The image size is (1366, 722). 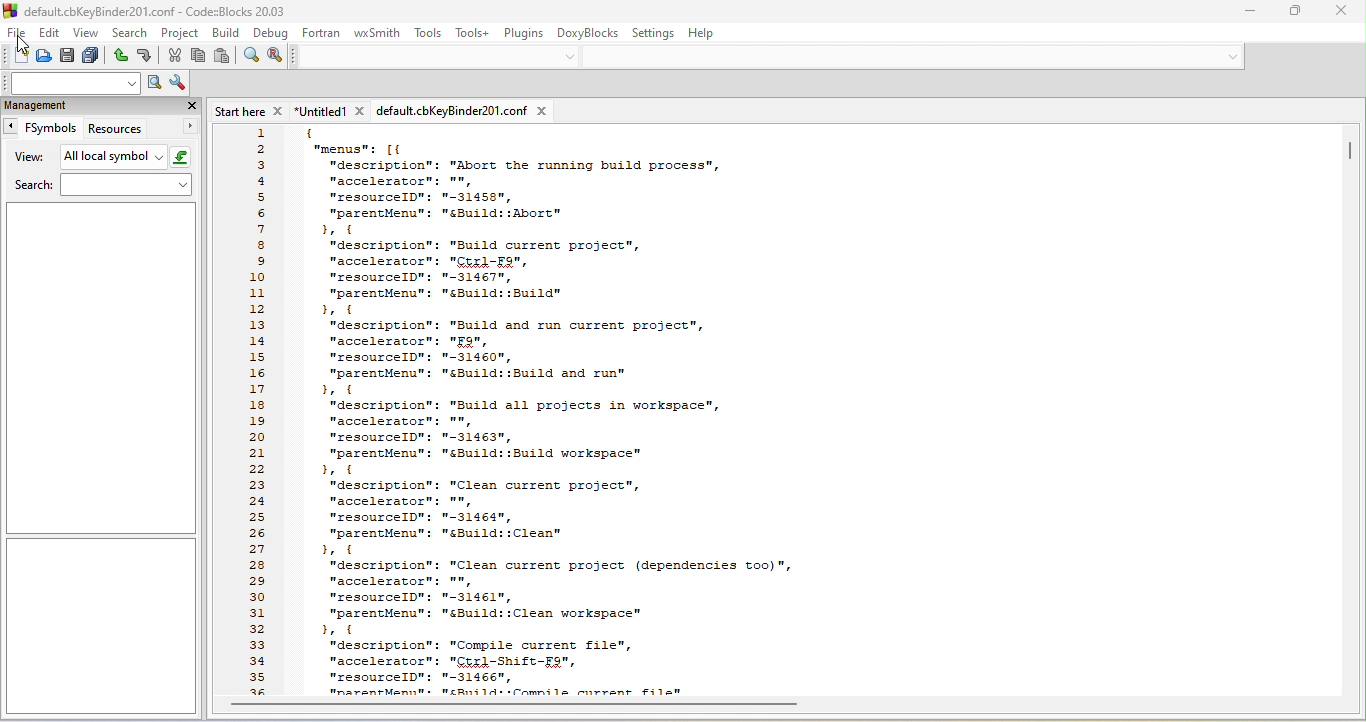 I want to click on find, so click(x=251, y=56).